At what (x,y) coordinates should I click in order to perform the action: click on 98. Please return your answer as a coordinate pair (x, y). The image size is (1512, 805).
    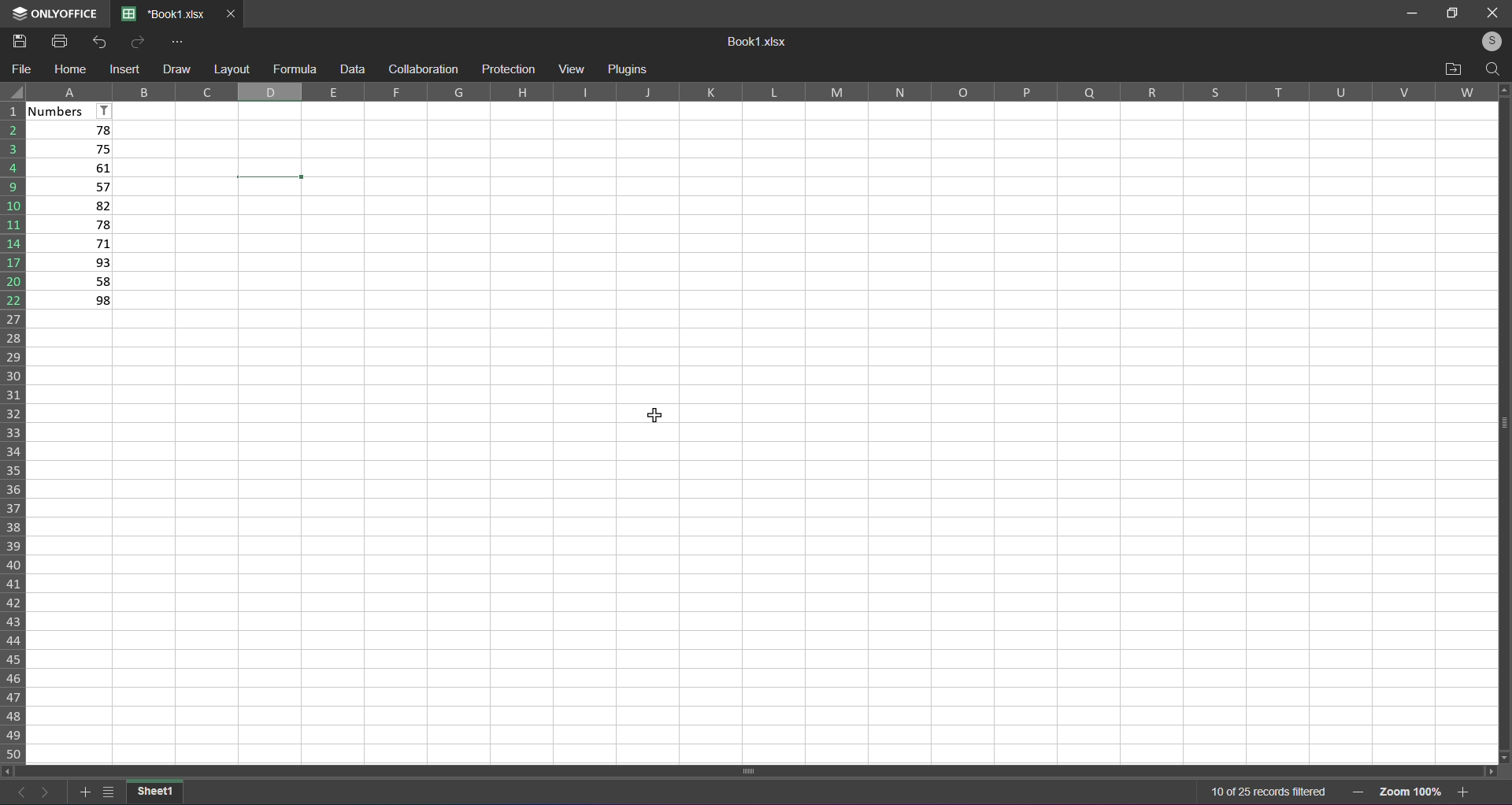
    Looking at the image, I should click on (72, 302).